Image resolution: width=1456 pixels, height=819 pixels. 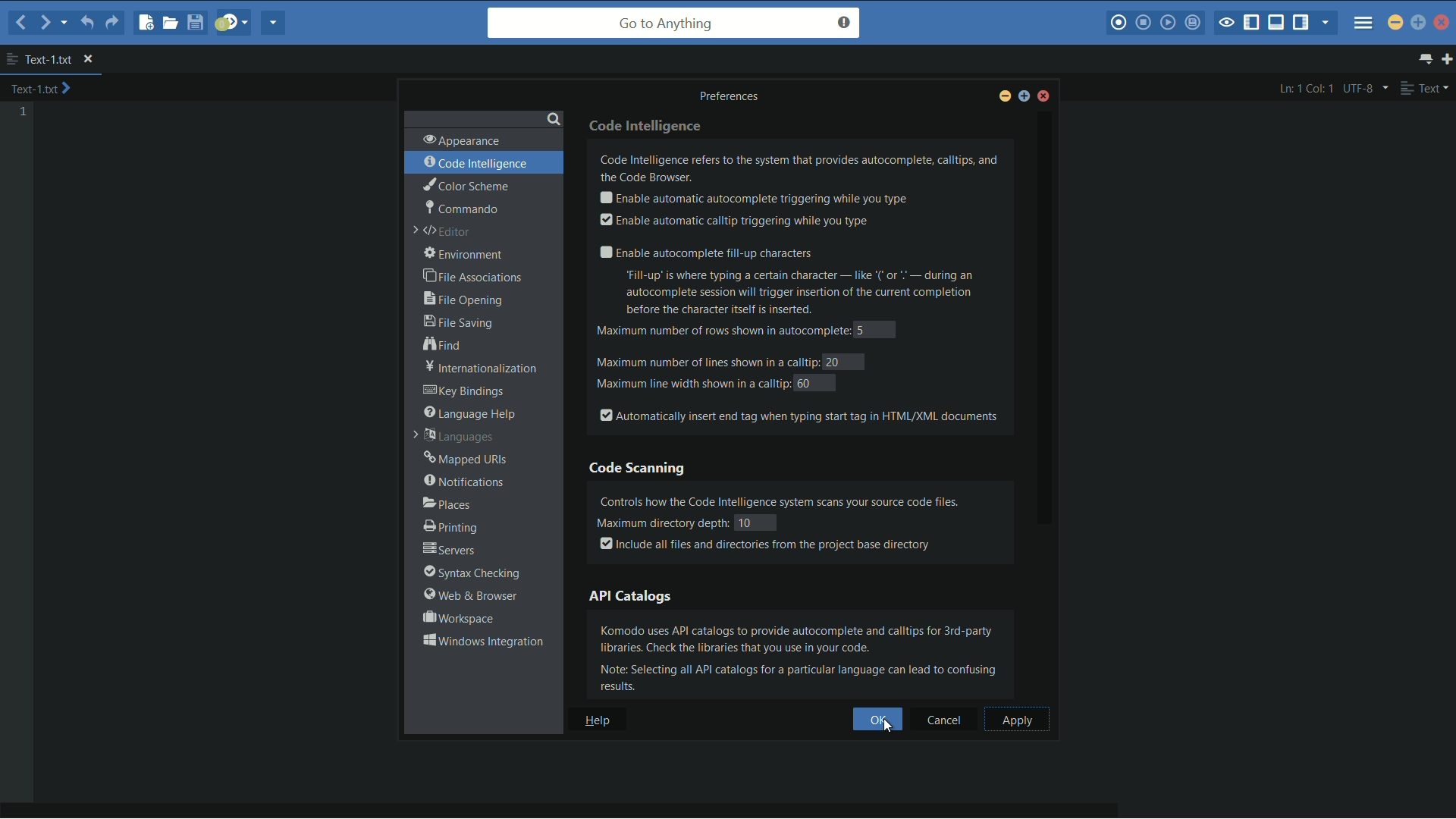 I want to click on save macro to toolbox, so click(x=1191, y=22).